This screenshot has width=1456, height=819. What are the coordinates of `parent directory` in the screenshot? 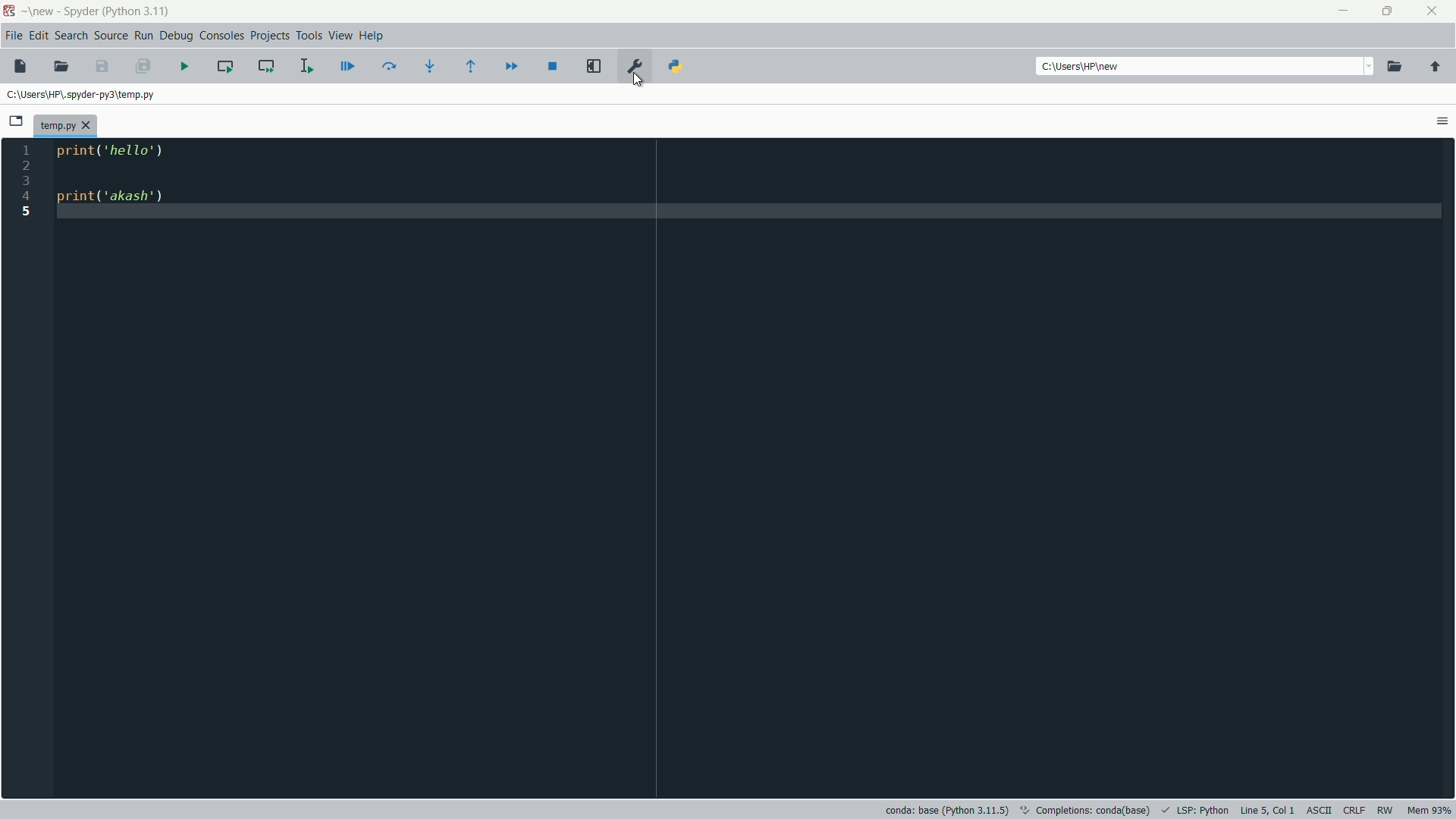 It's located at (1435, 67).